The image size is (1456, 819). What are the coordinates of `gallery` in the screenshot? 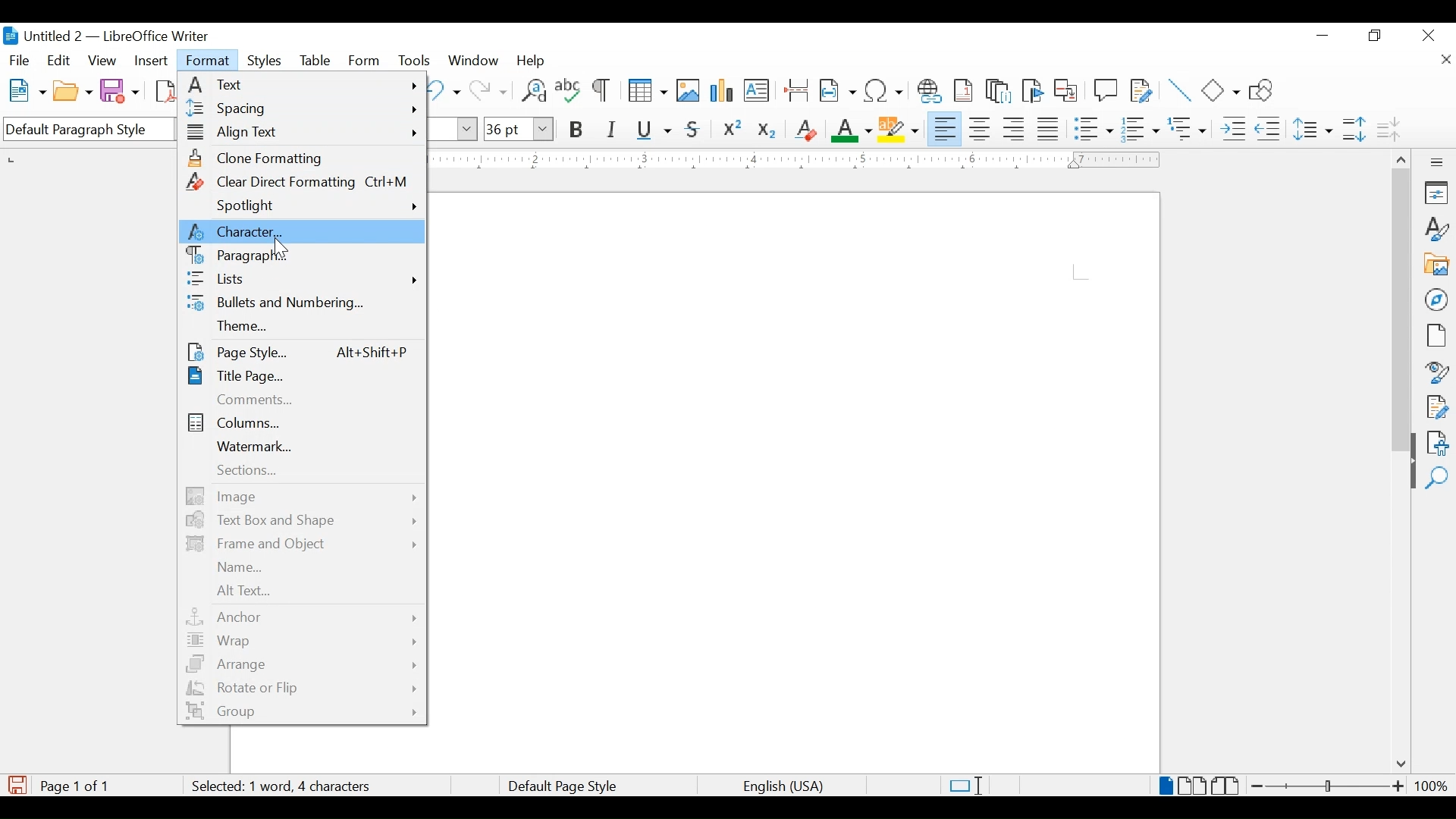 It's located at (1437, 265).